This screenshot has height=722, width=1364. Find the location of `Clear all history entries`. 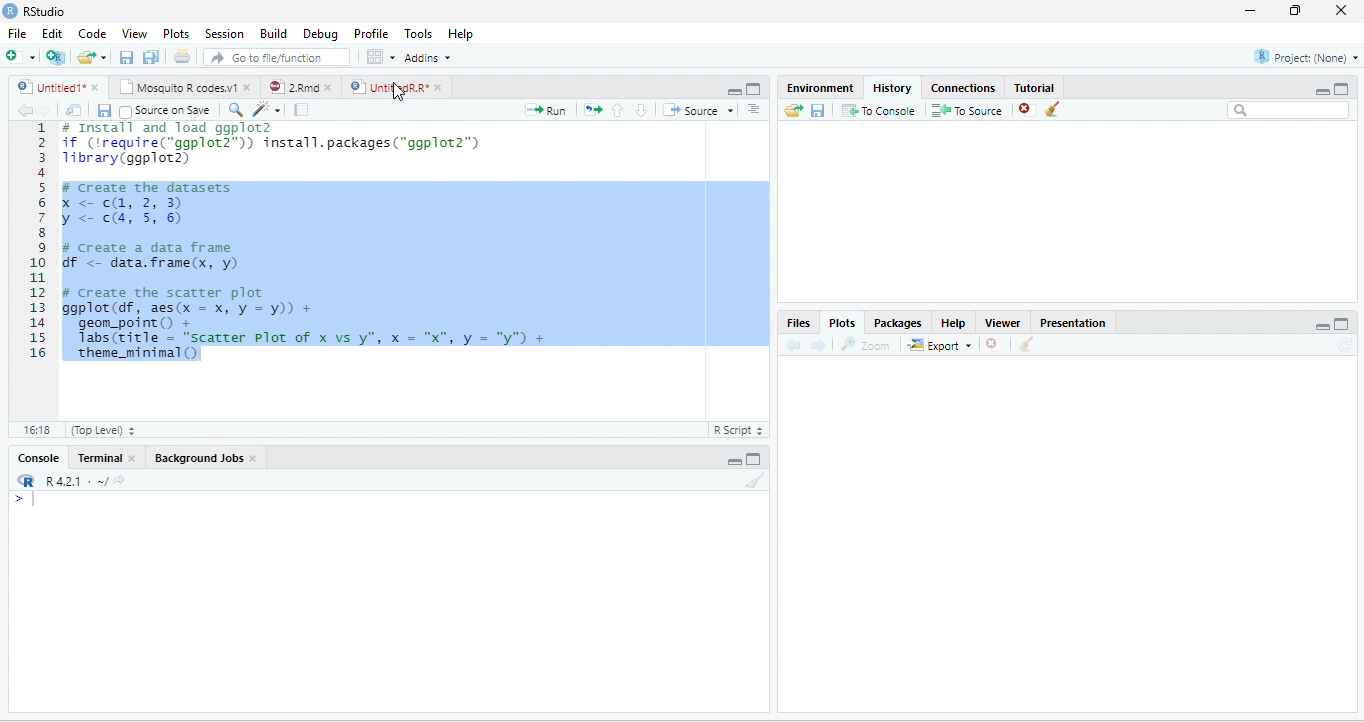

Clear all history entries is located at coordinates (1053, 109).